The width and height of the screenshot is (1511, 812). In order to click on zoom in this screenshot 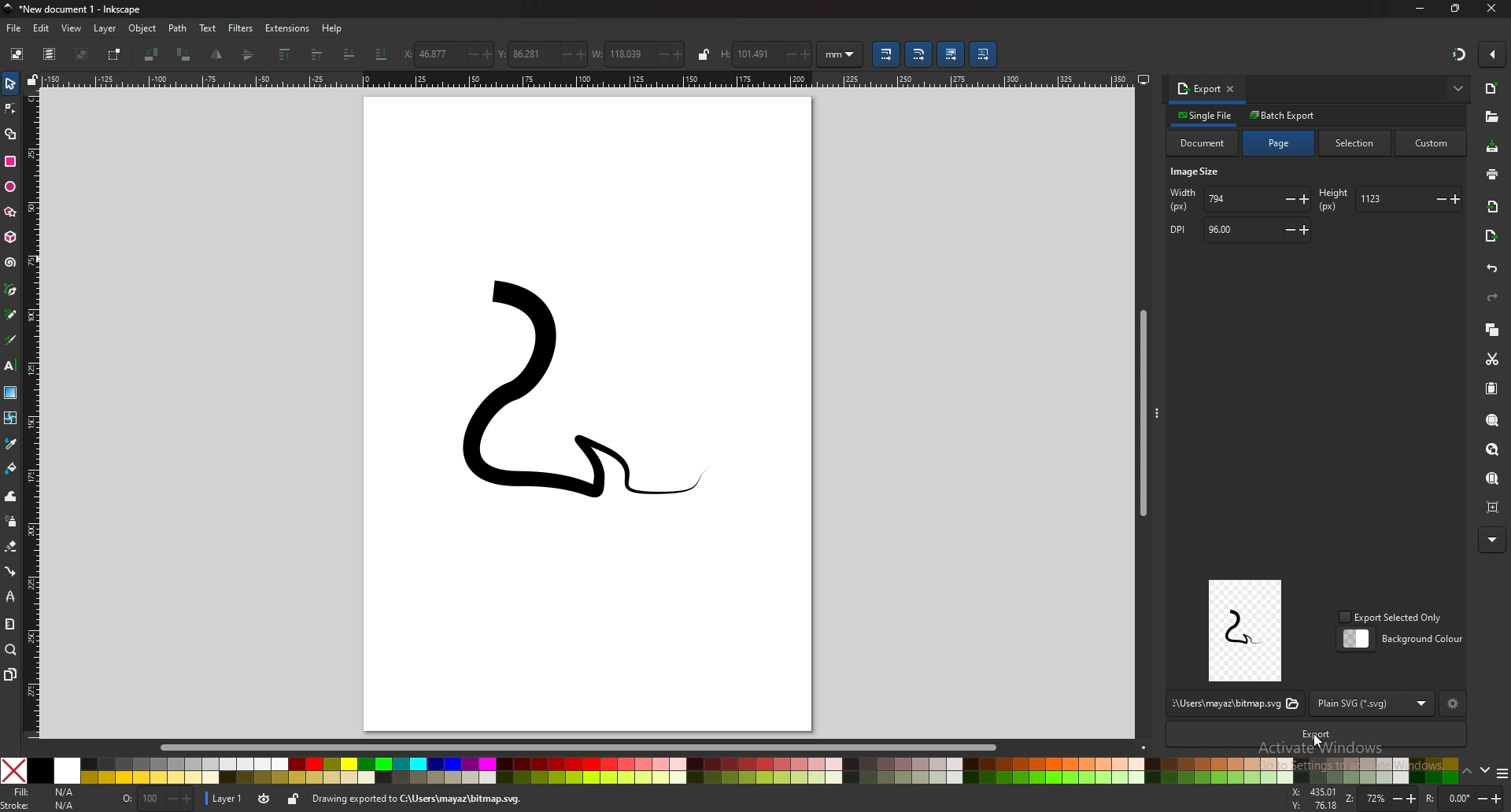, I will do `click(1380, 799)`.